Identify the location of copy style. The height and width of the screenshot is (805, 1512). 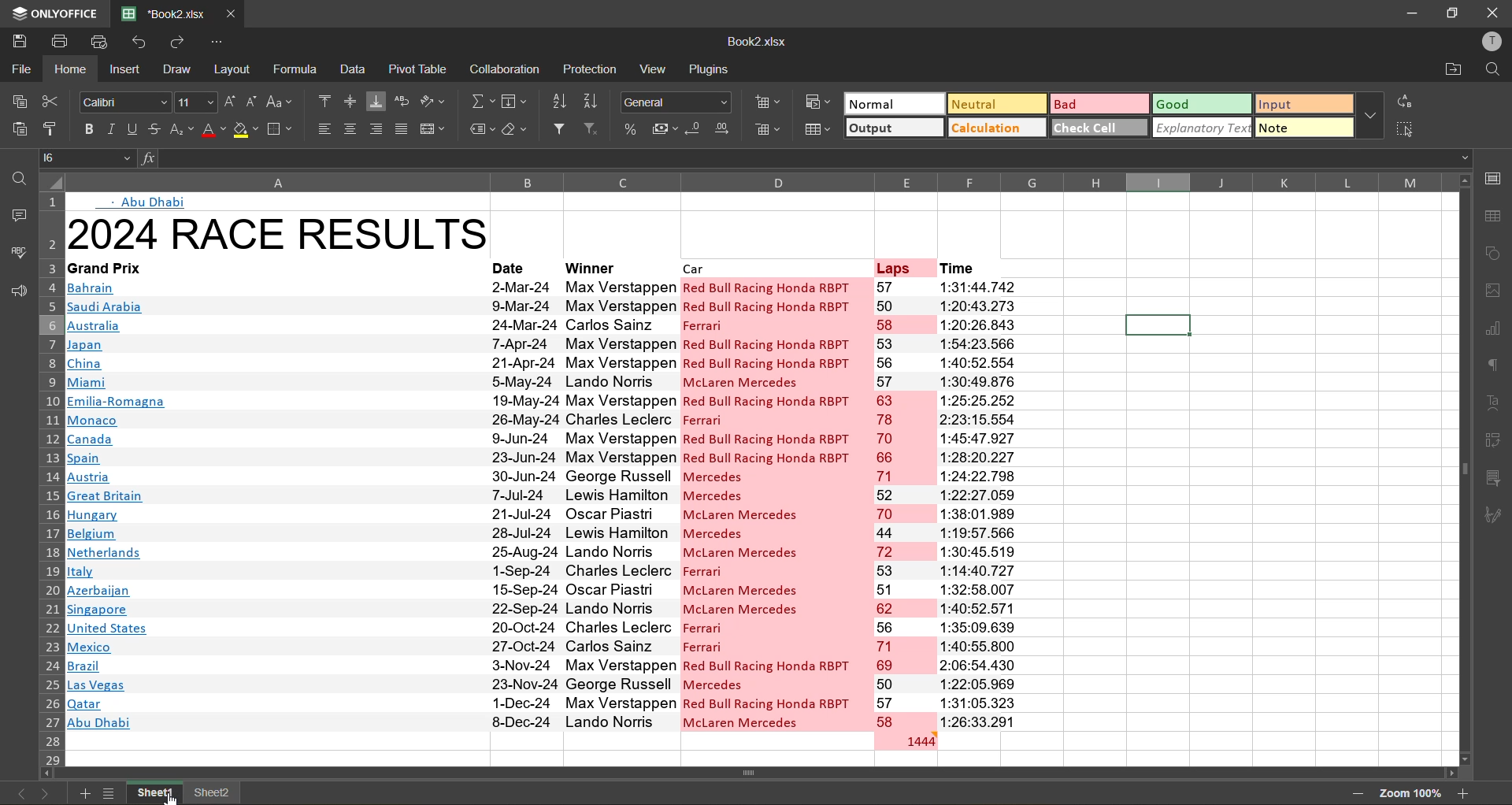
(53, 130).